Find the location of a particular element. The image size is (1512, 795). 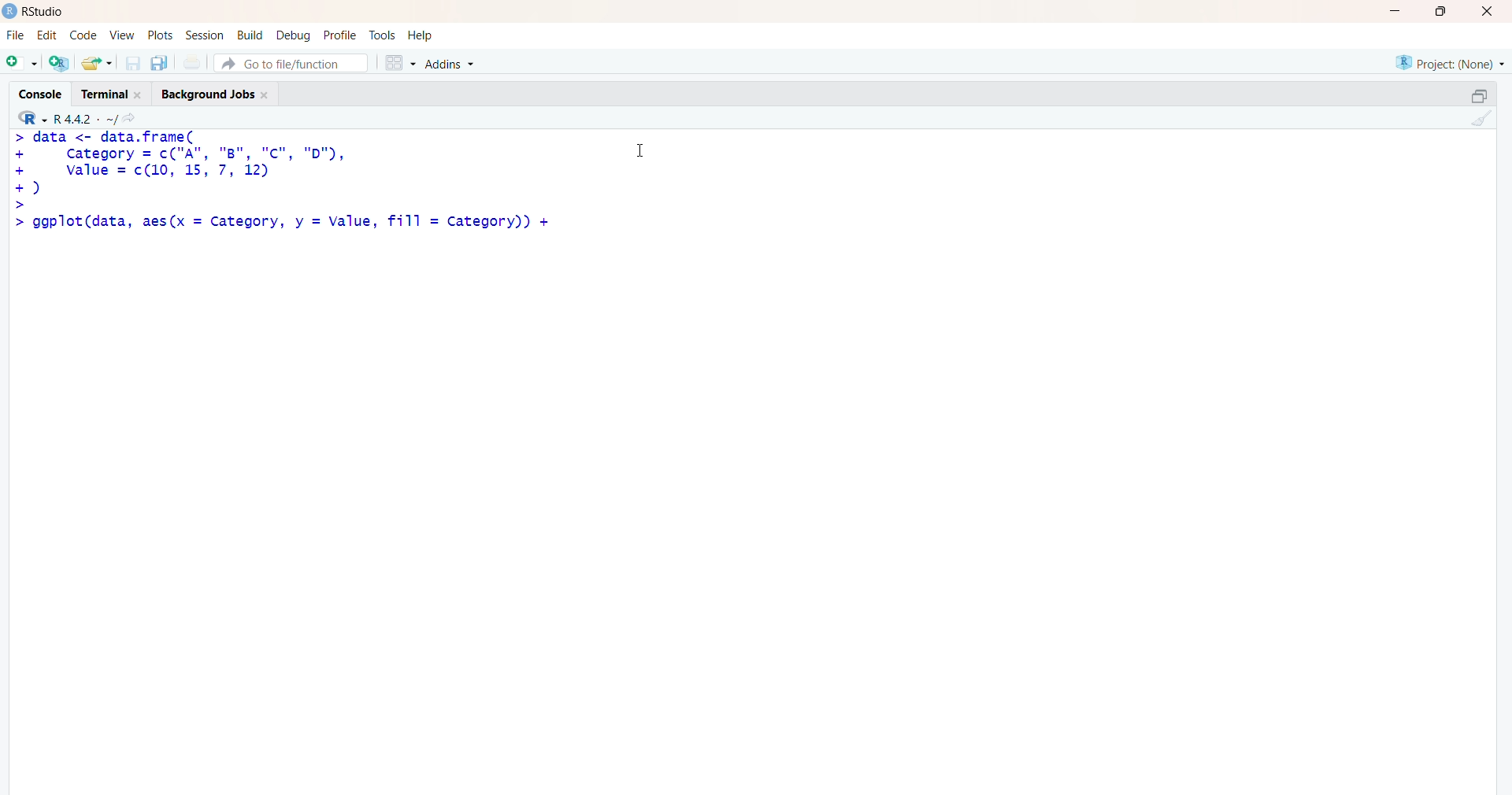

clear console is located at coordinates (1479, 118).